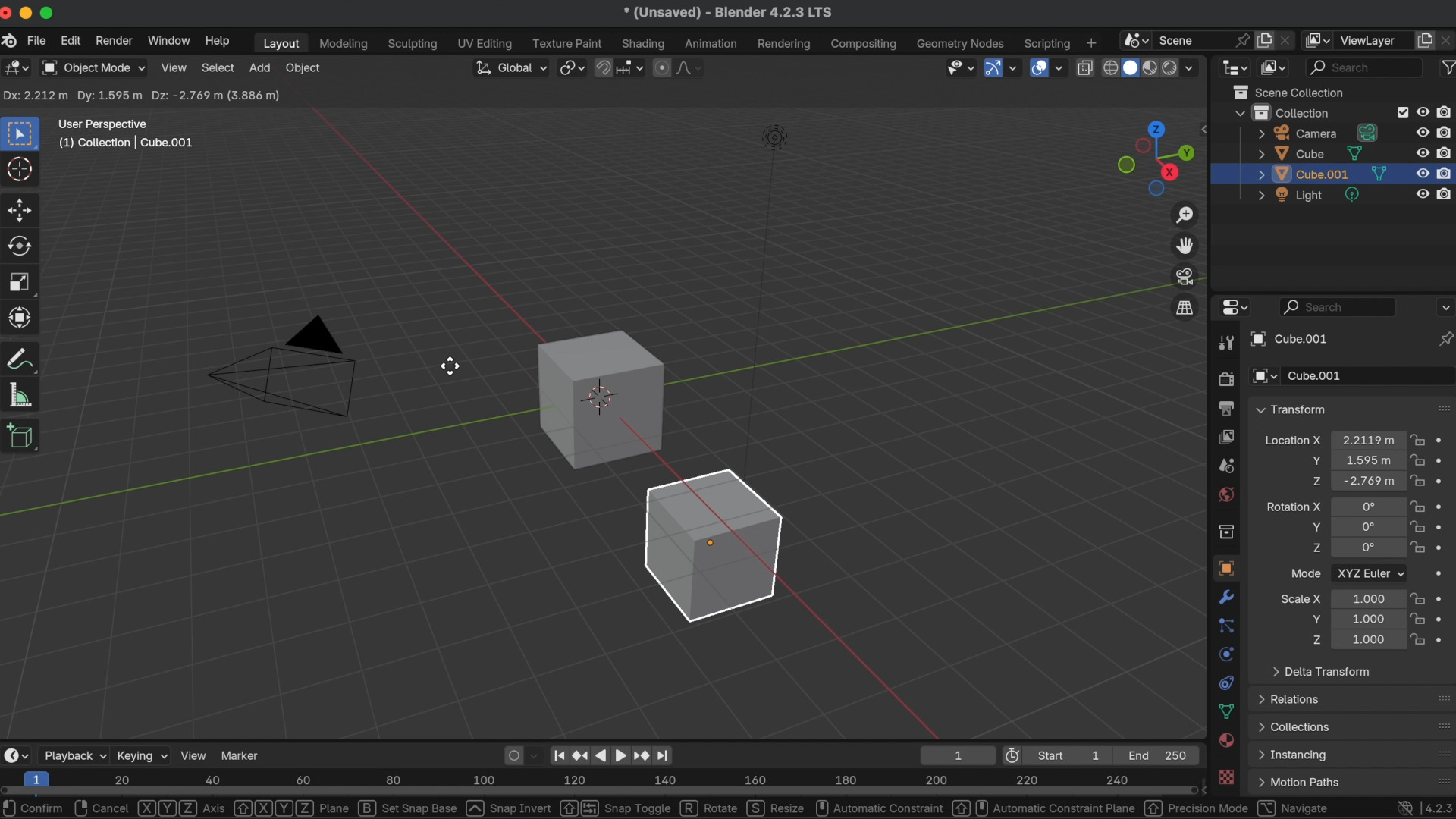  I want to click on view, so click(174, 67).